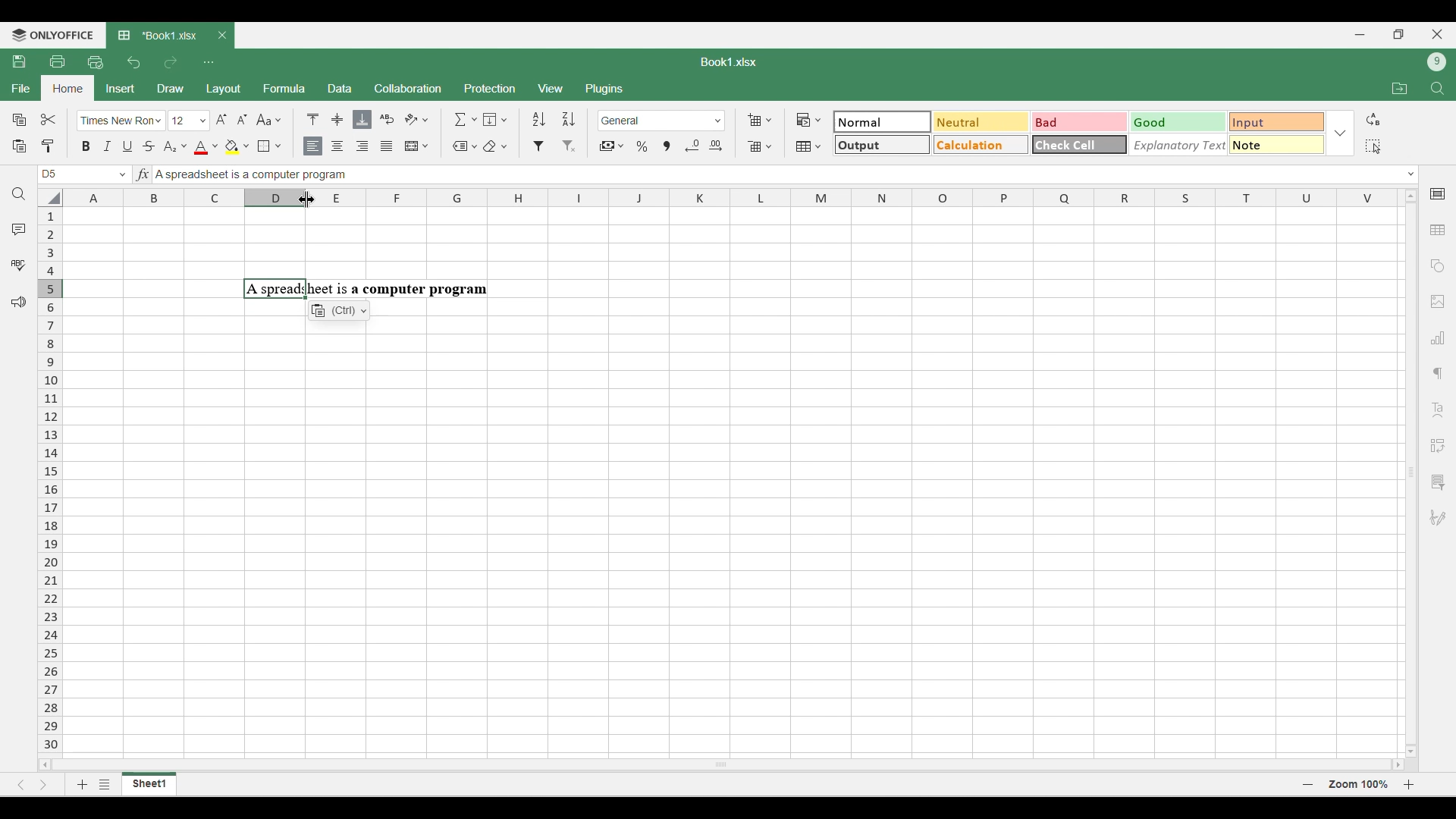 The width and height of the screenshot is (1456, 819). I want to click on Decrease decimal, so click(692, 146).